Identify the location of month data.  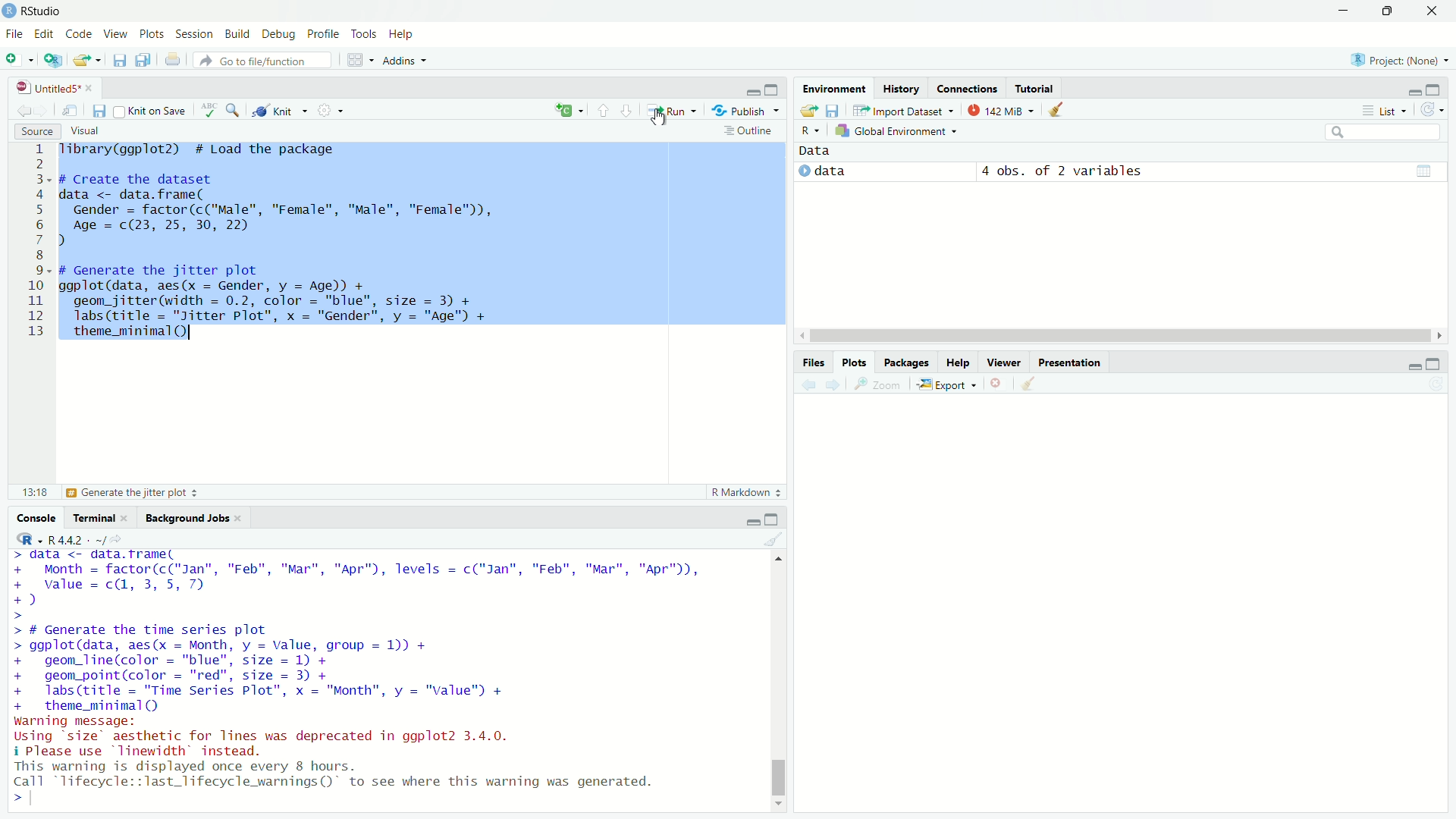
(358, 577).